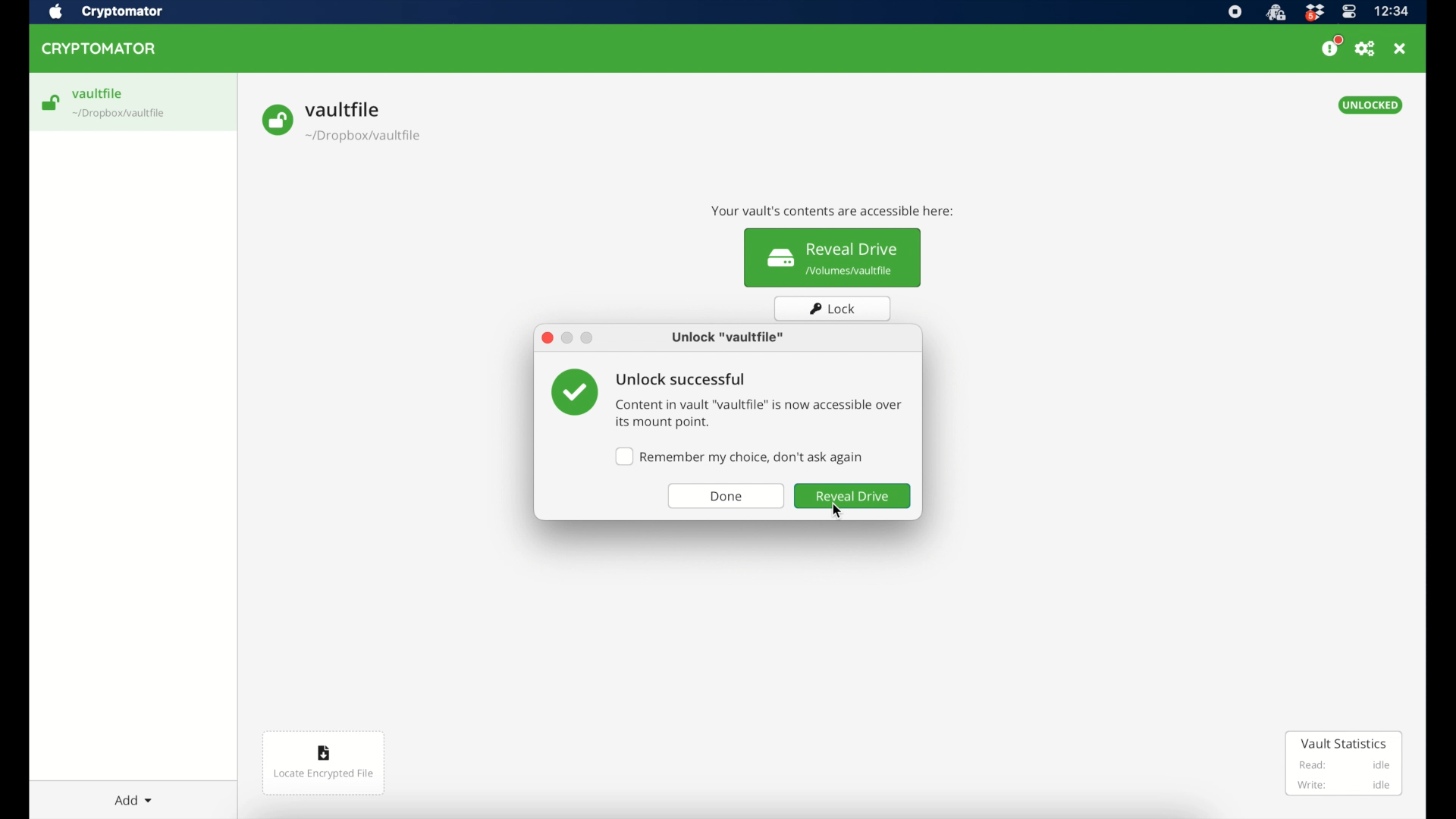 This screenshot has width=1456, height=819. I want to click on Your vault's contents are accessible here:, so click(836, 208).